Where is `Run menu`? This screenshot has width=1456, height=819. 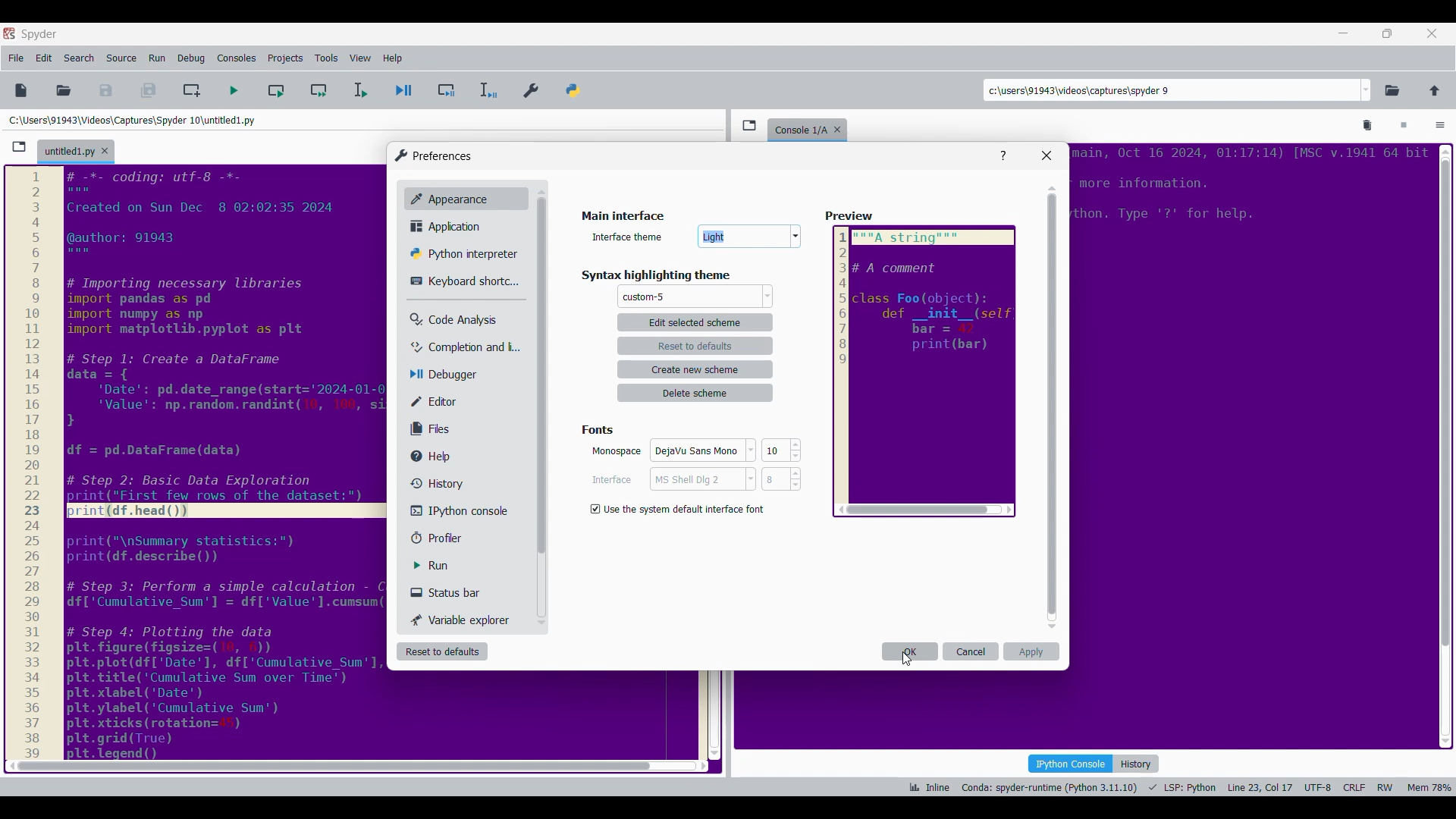 Run menu is located at coordinates (157, 58).